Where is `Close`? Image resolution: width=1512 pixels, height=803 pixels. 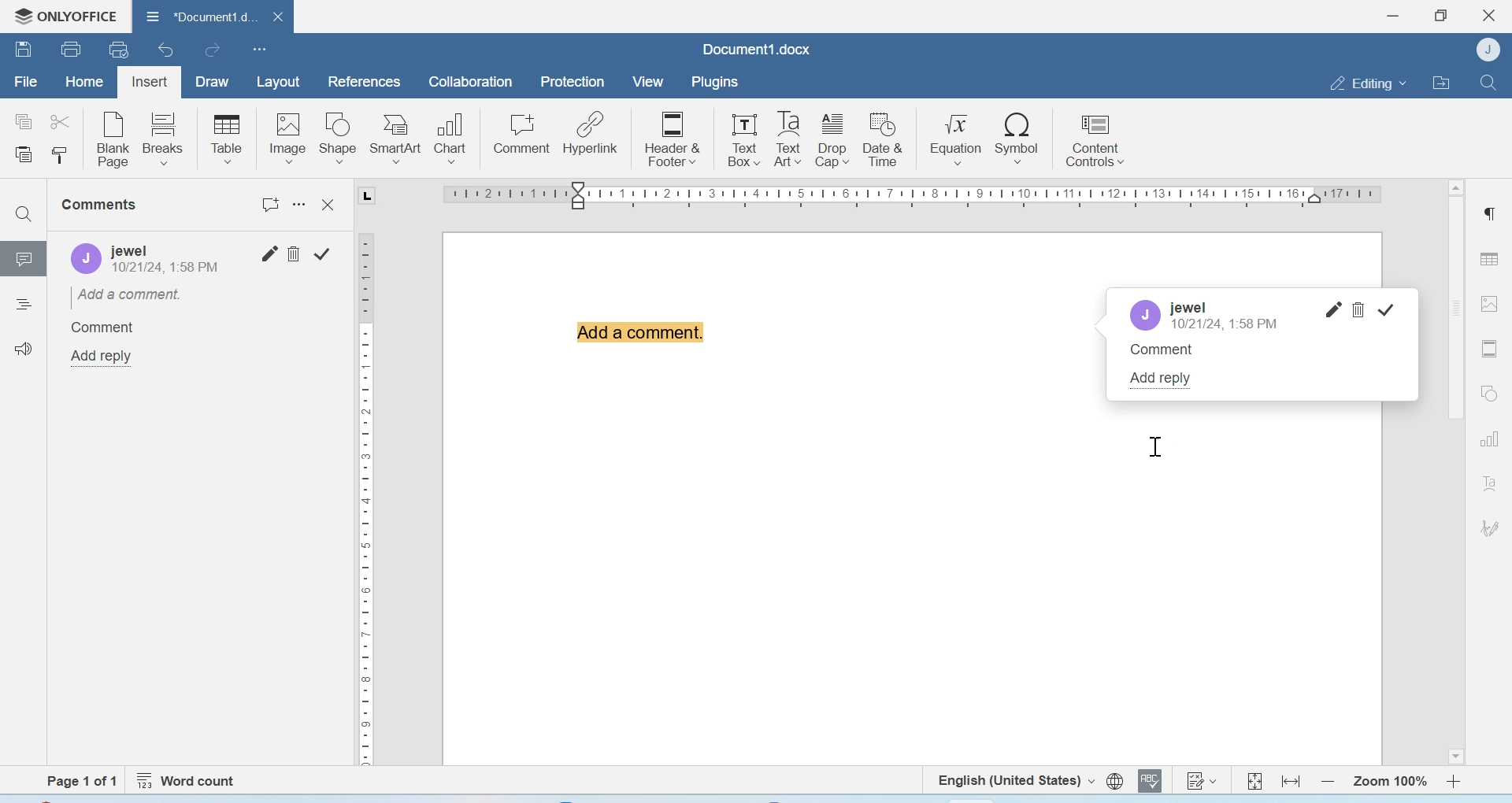
Close is located at coordinates (1491, 16).